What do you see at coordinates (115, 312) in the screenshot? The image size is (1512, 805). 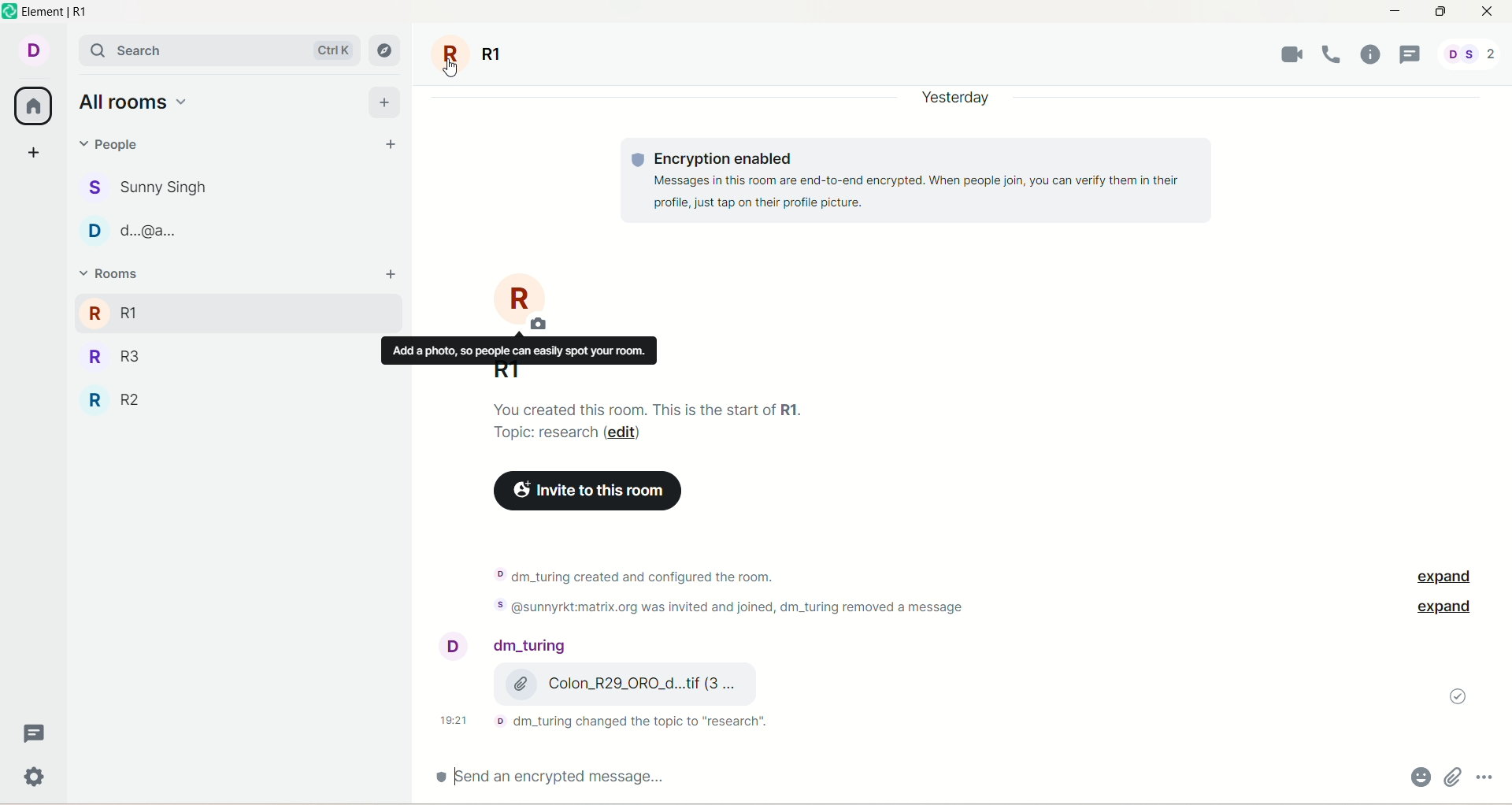 I see `R1` at bounding box center [115, 312].